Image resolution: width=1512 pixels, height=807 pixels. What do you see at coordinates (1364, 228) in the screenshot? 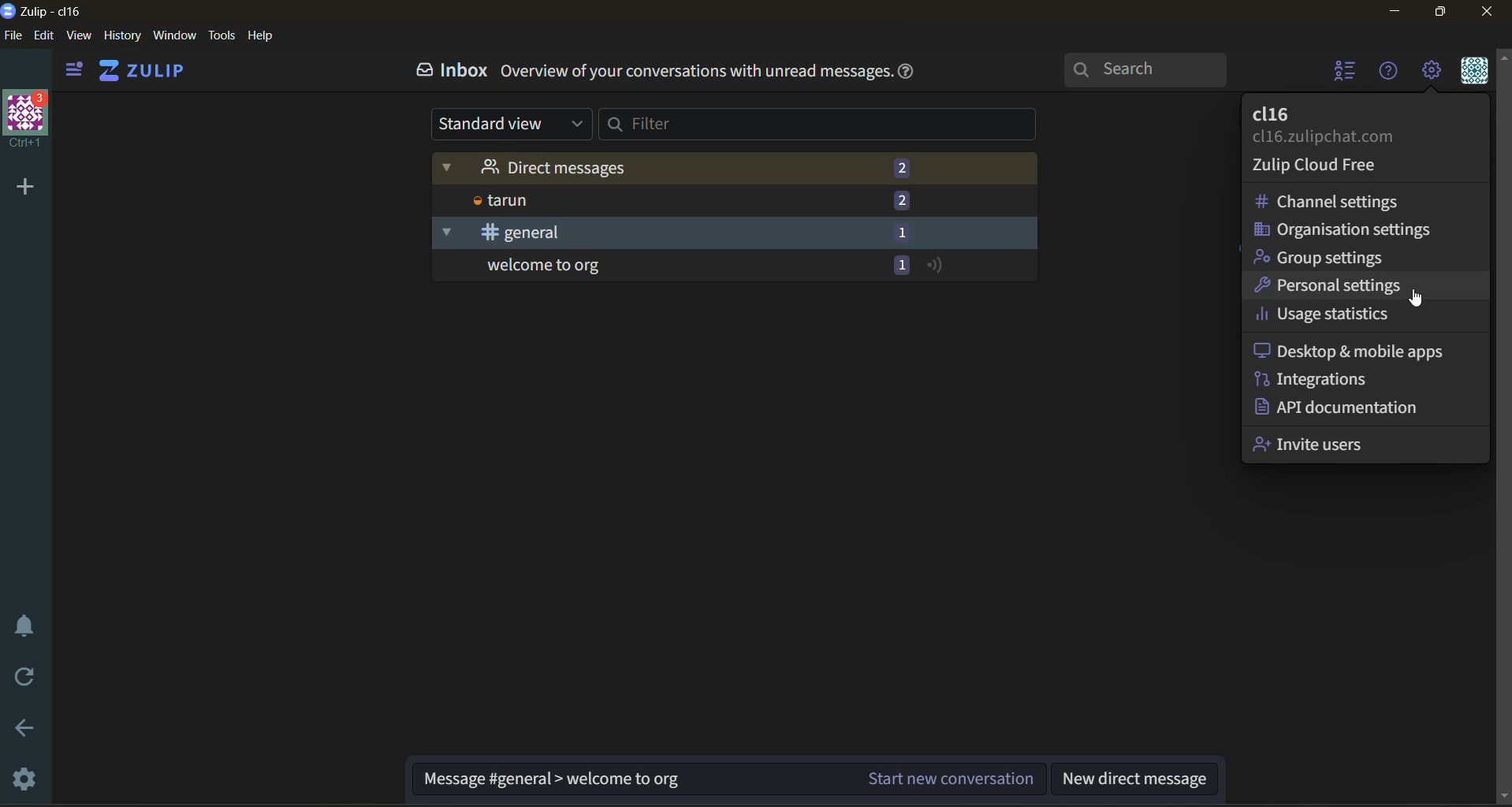
I see `organisation settings` at bounding box center [1364, 228].